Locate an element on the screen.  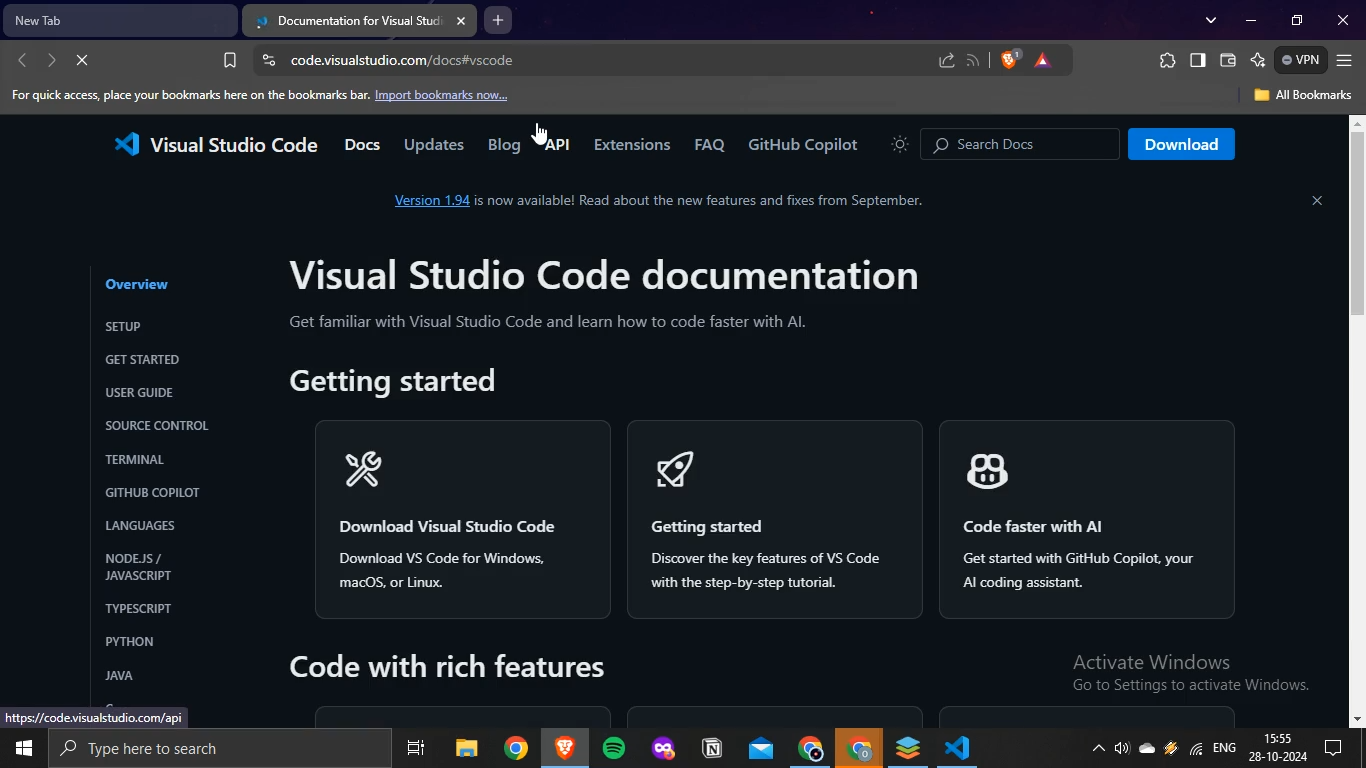
customize and control brave is located at coordinates (1347, 60).